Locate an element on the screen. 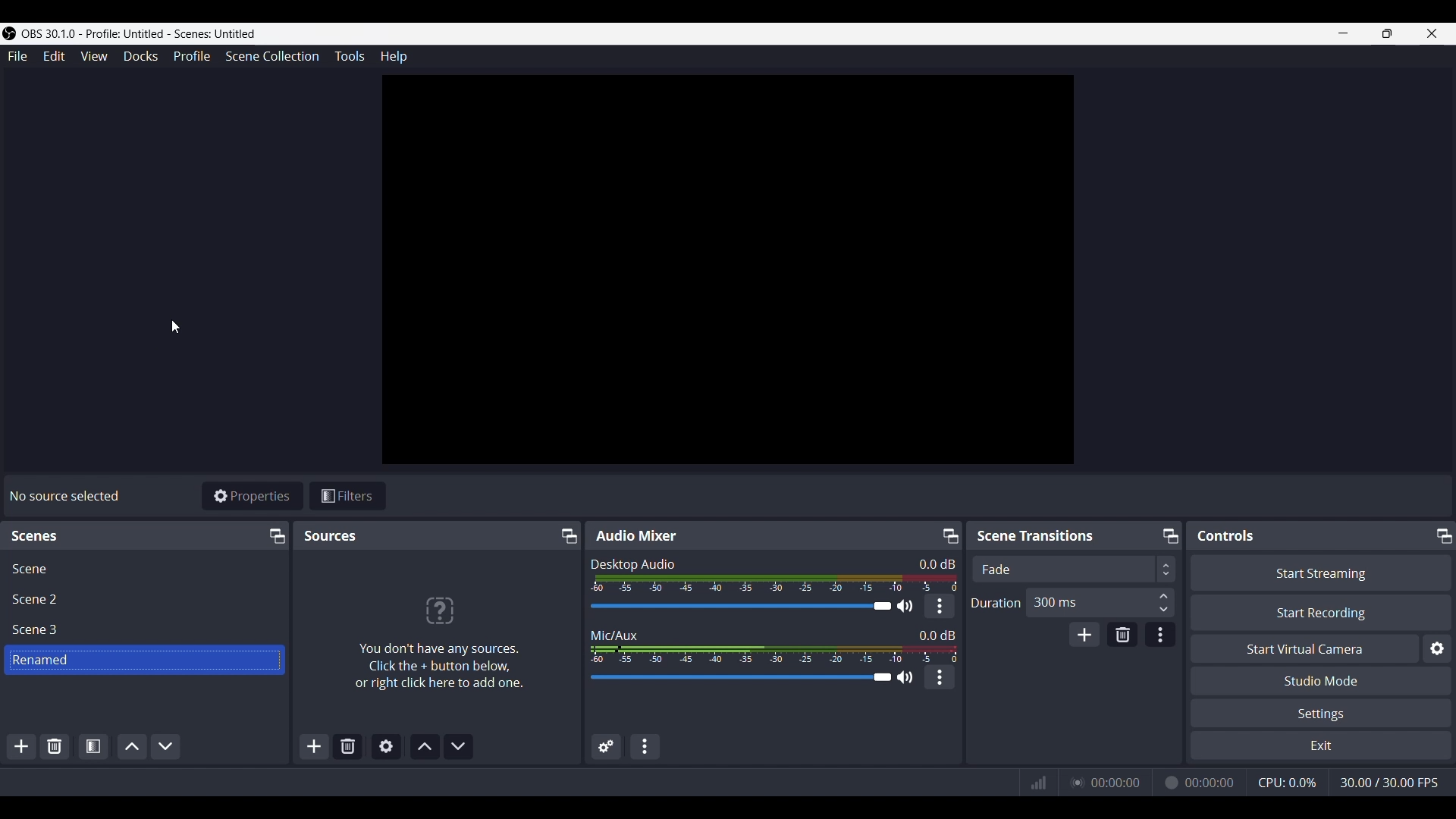  Fade is located at coordinates (996, 570).